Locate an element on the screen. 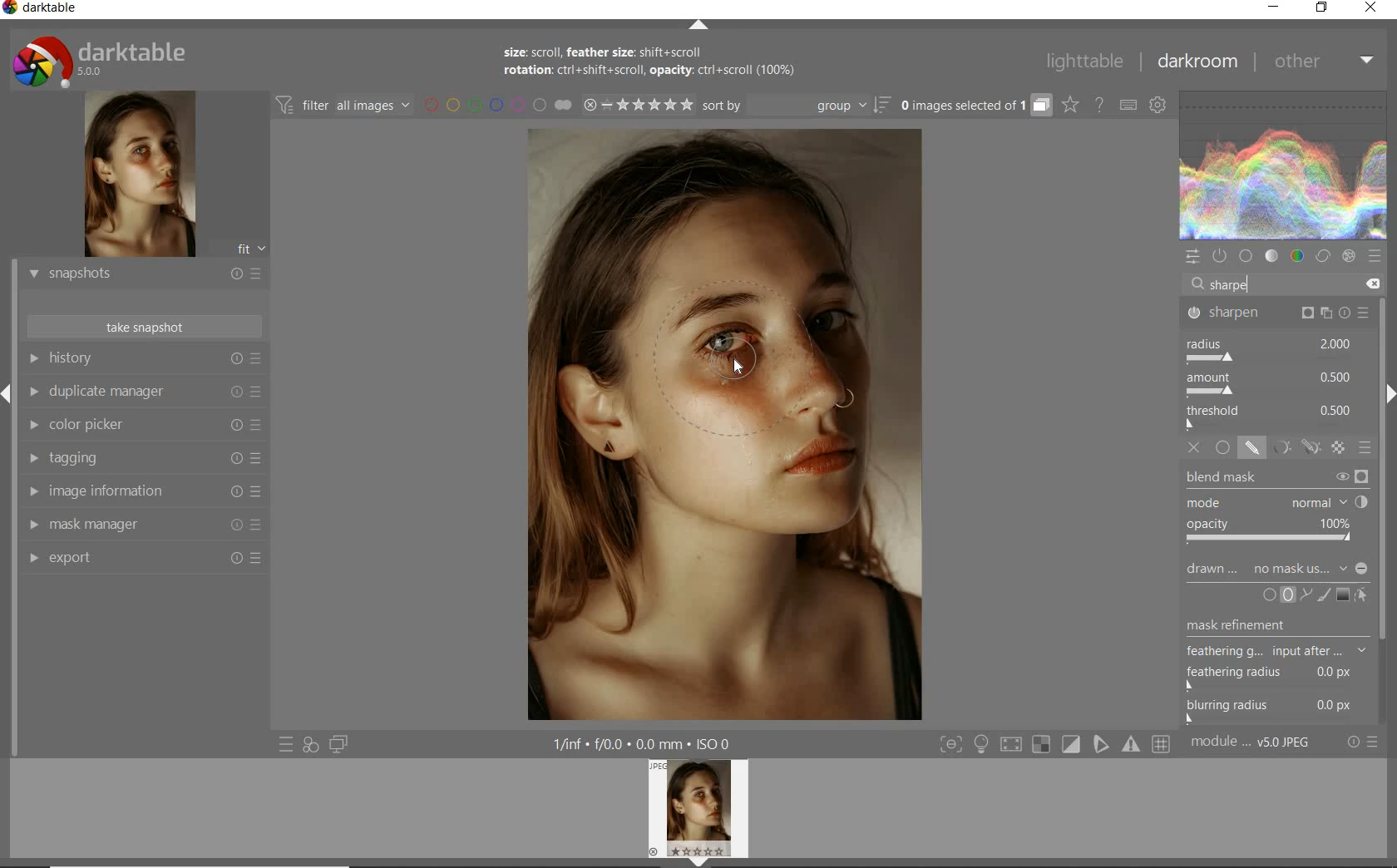  close is located at coordinates (1372, 9).